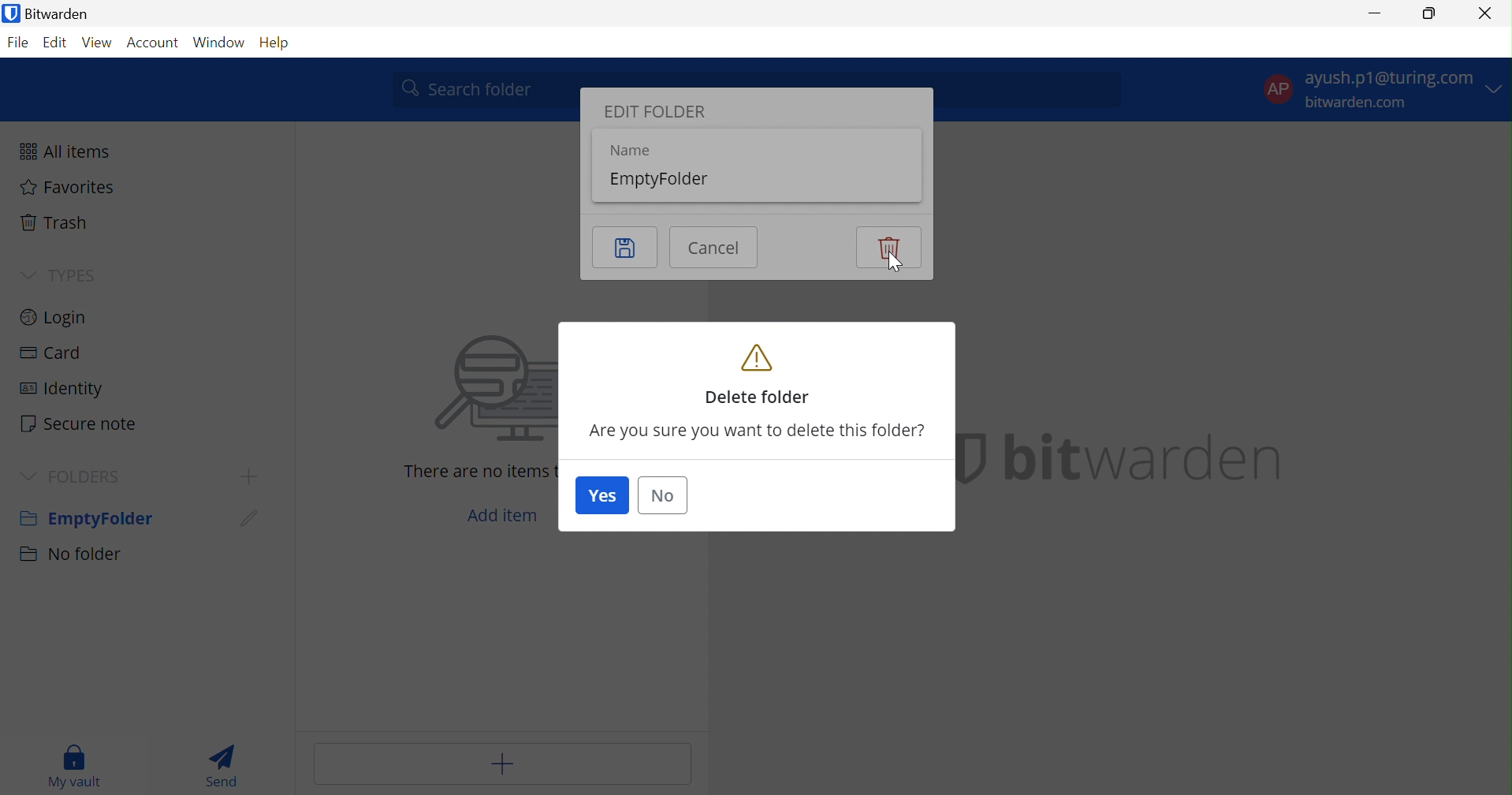 This screenshot has height=795, width=1512. Describe the element at coordinates (1148, 457) in the screenshot. I see `bitwarden` at that location.